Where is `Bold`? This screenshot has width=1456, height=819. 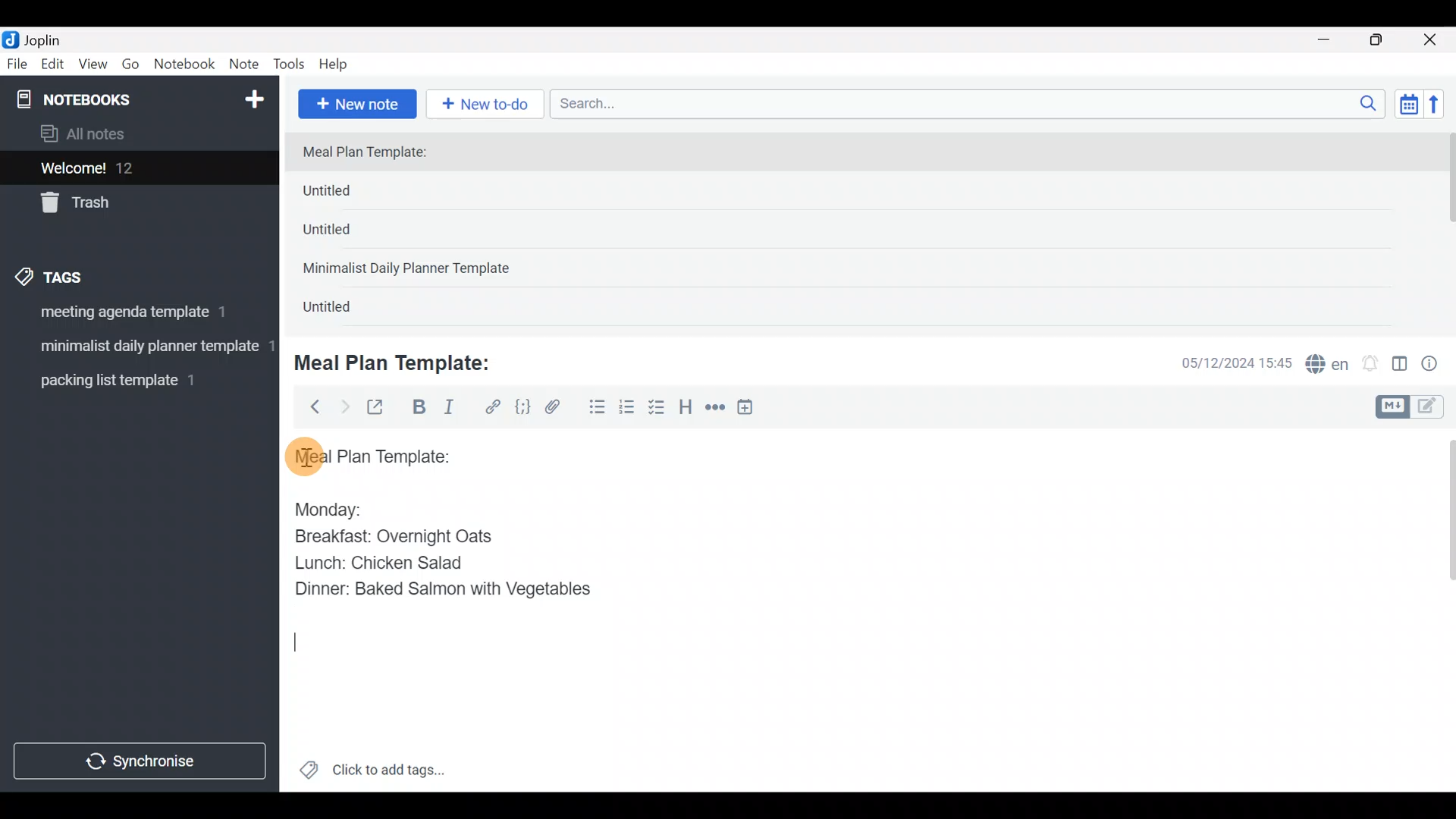
Bold is located at coordinates (418, 409).